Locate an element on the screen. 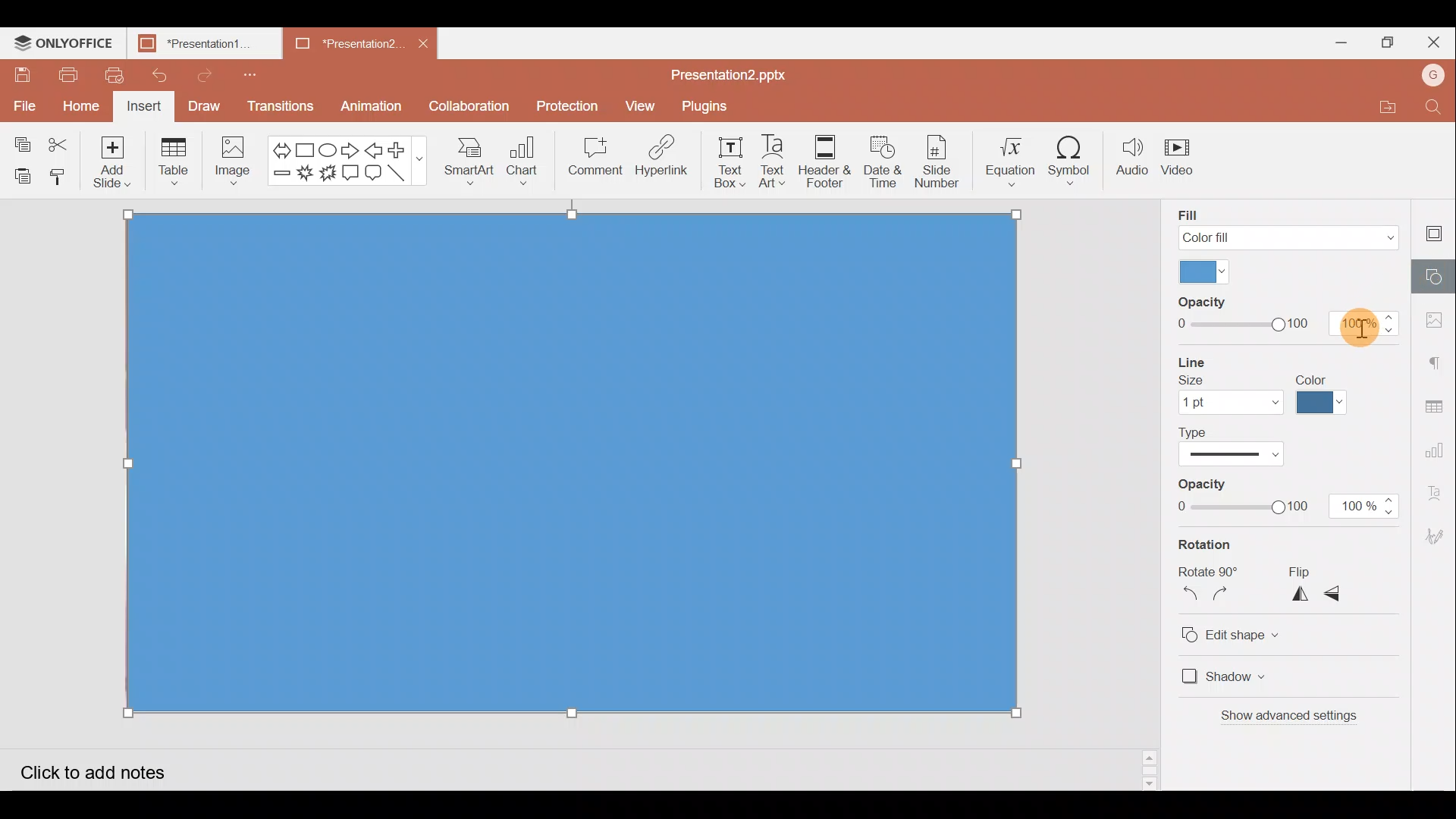 Image resolution: width=1456 pixels, height=819 pixels. 100% is located at coordinates (1365, 508).